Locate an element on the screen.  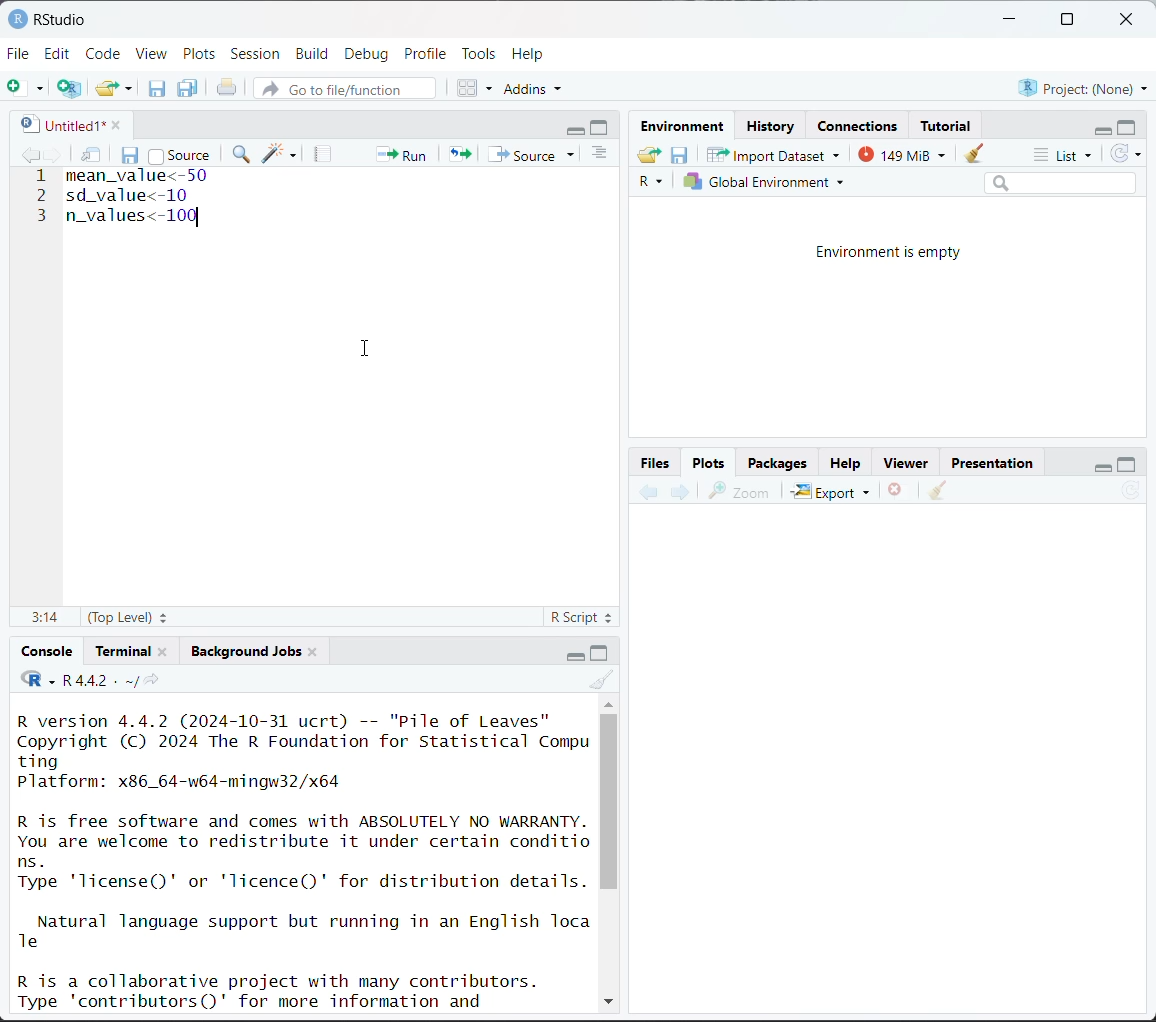
minimize is located at coordinates (1099, 128).